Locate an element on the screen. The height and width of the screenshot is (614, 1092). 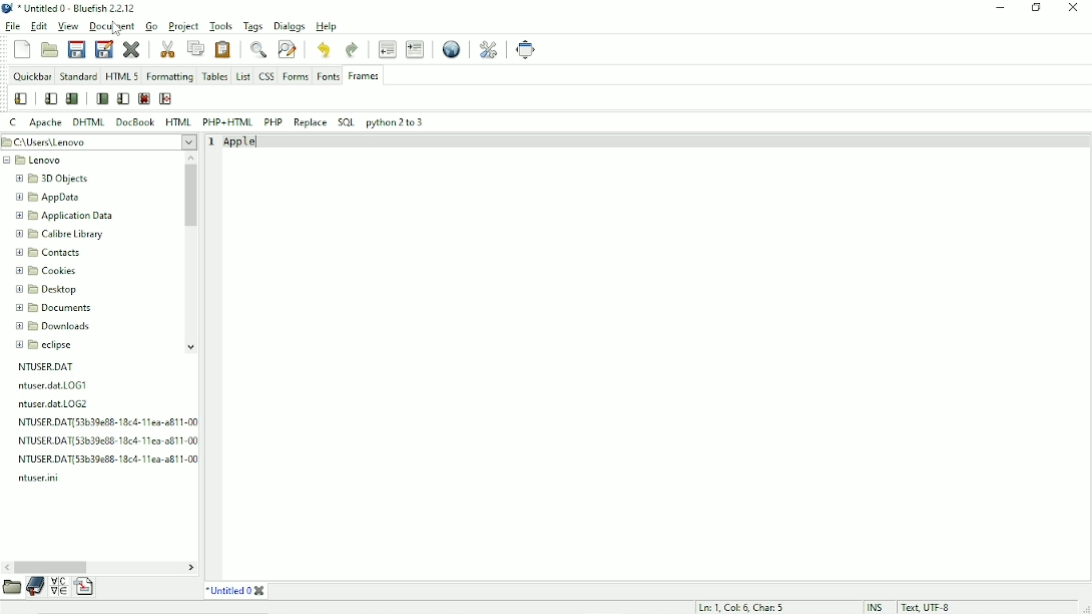
Undo is located at coordinates (325, 50).